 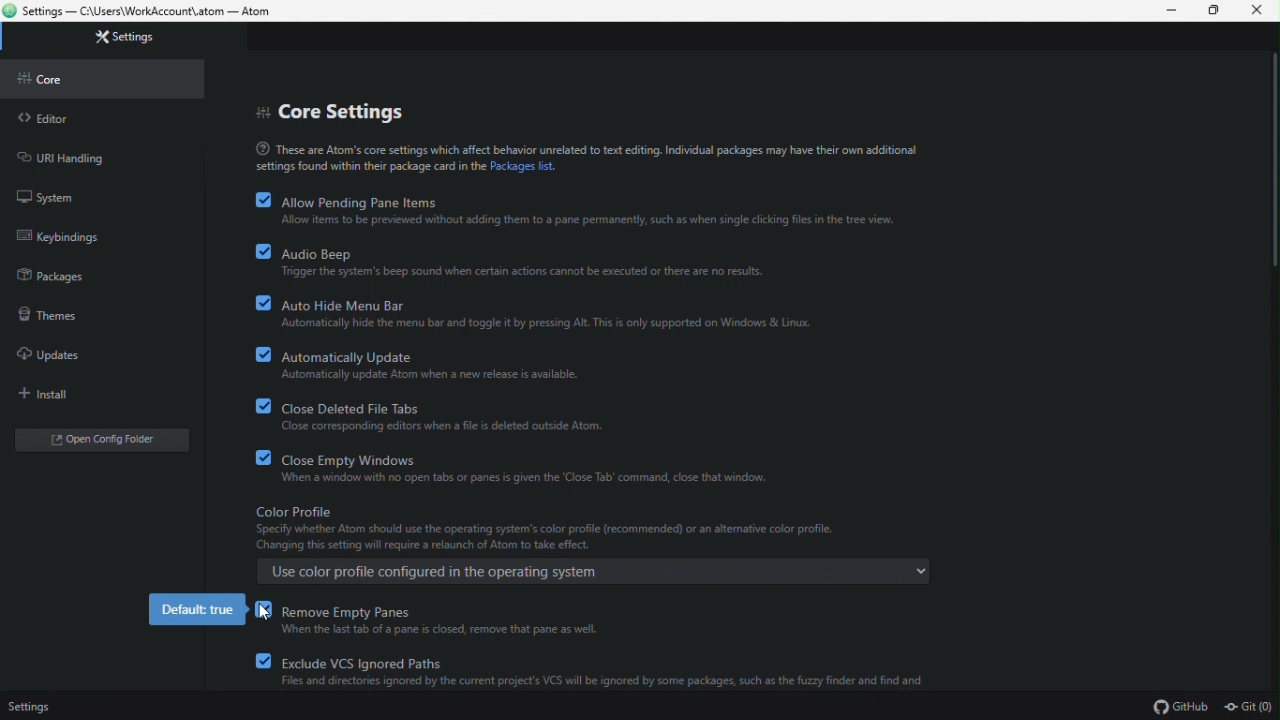 I want to click on install, so click(x=38, y=393).